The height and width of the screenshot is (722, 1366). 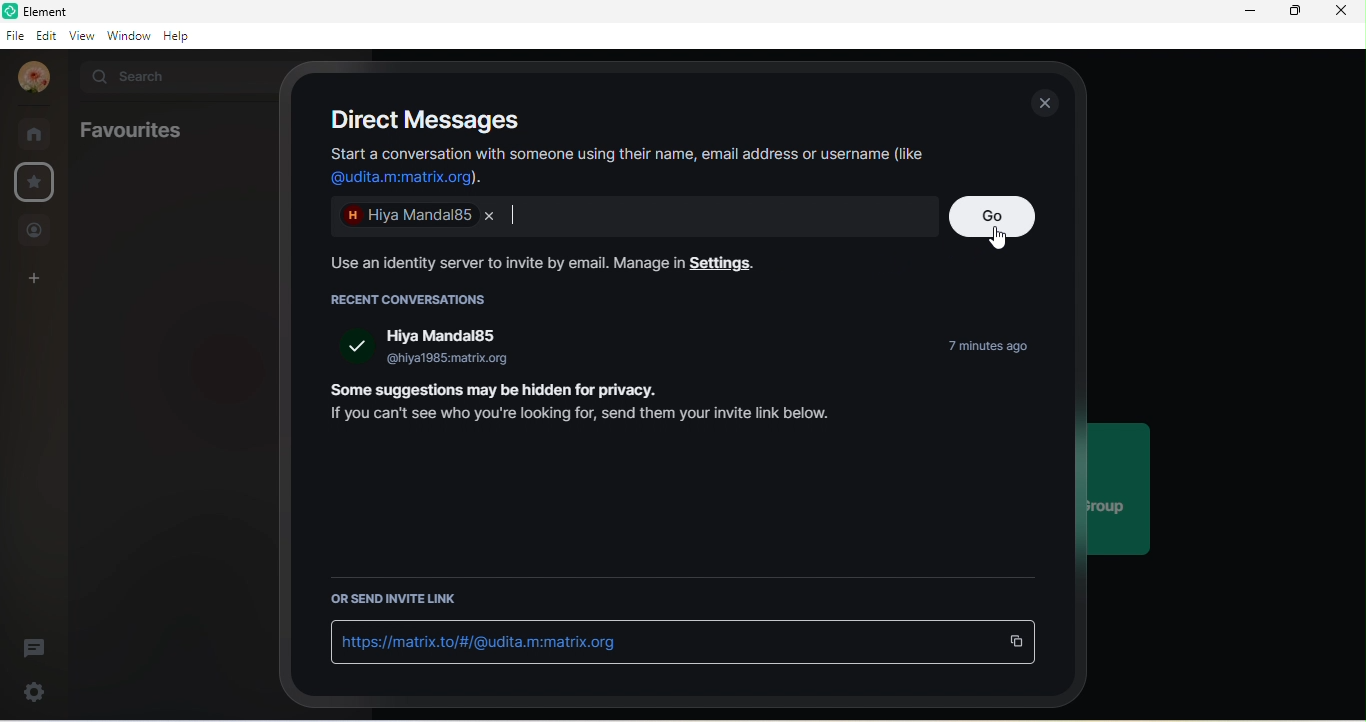 What do you see at coordinates (974, 347) in the screenshot?
I see `7 min ago` at bounding box center [974, 347].